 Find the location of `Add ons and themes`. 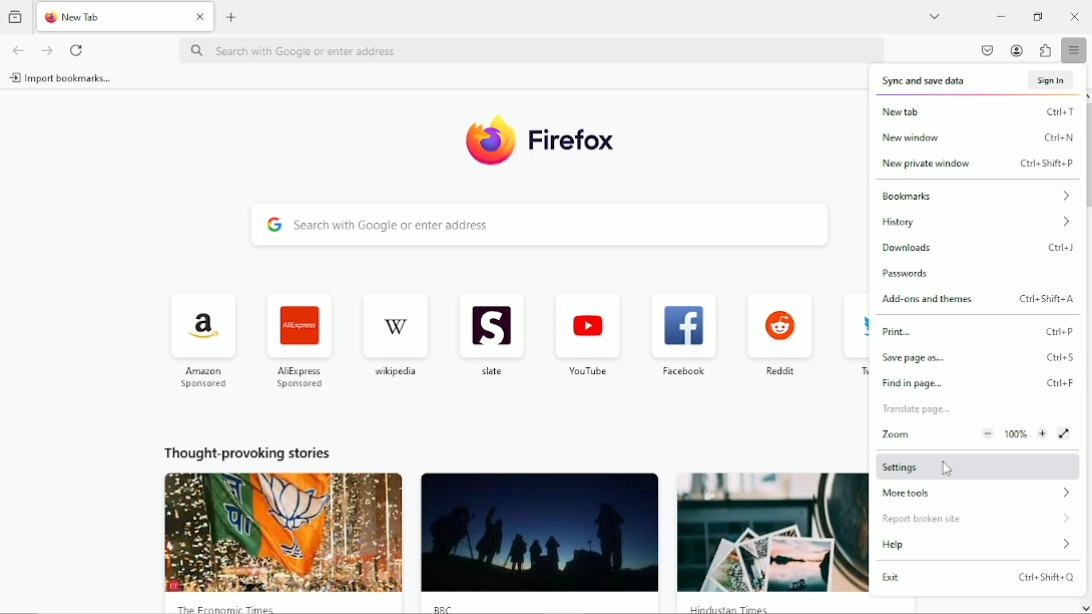

Add ons and themes is located at coordinates (926, 300).